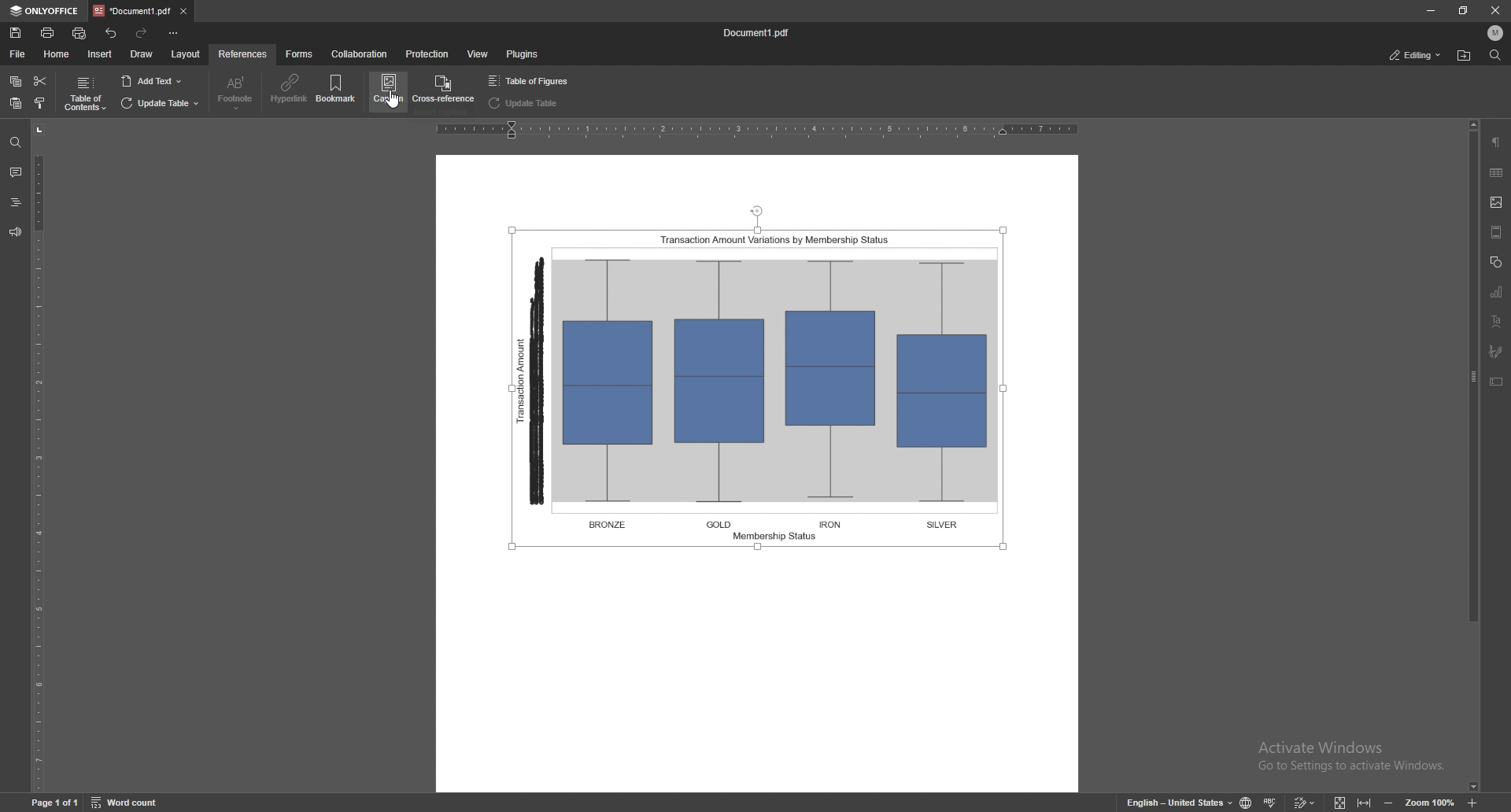 The width and height of the screenshot is (1511, 812). What do you see at coordinates (127, 802) in the screenshot?
I see `word count` at bounding box center [127, 802].